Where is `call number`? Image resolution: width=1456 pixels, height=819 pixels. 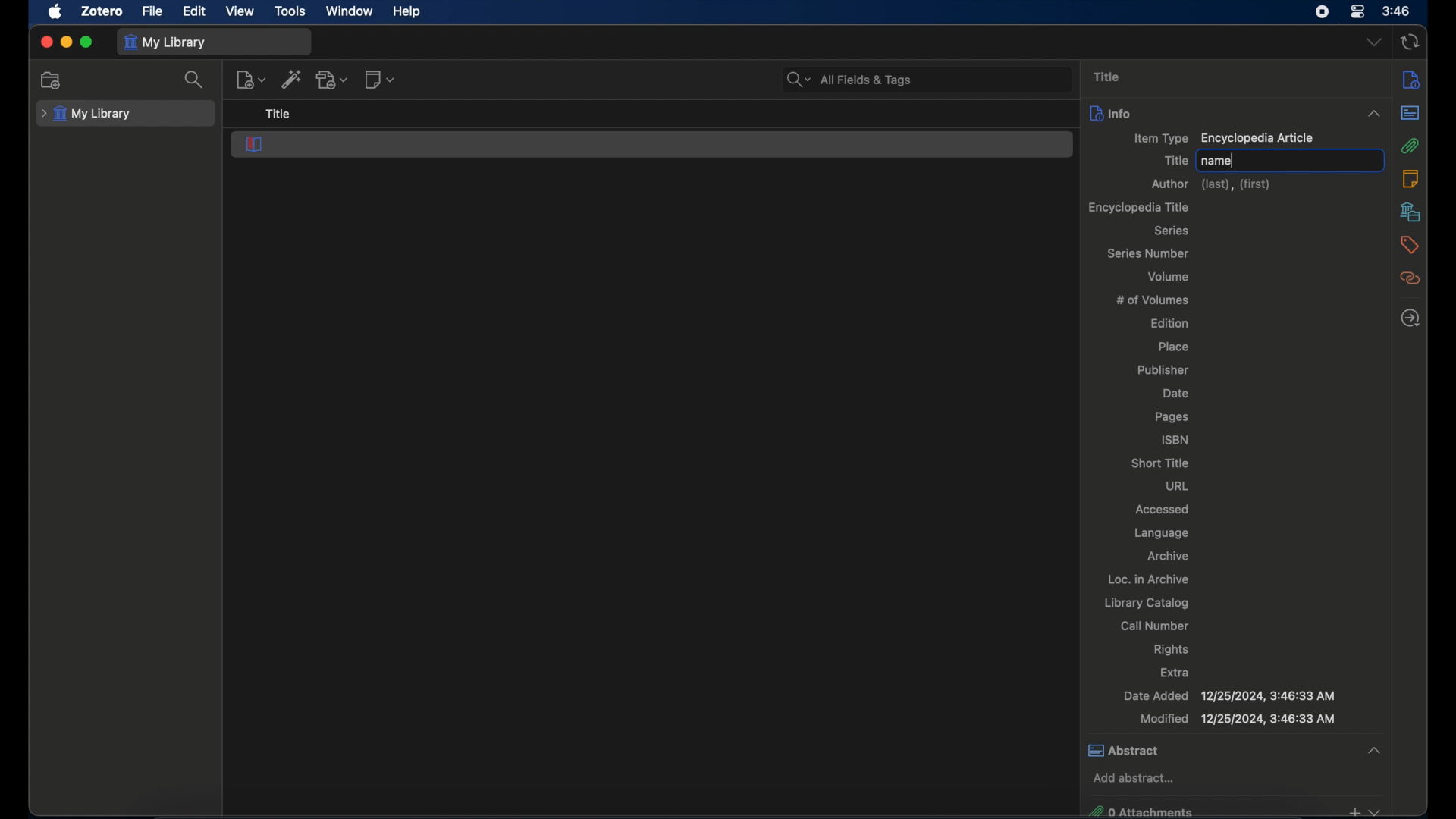
call number is located at coordinates (1156, 626).